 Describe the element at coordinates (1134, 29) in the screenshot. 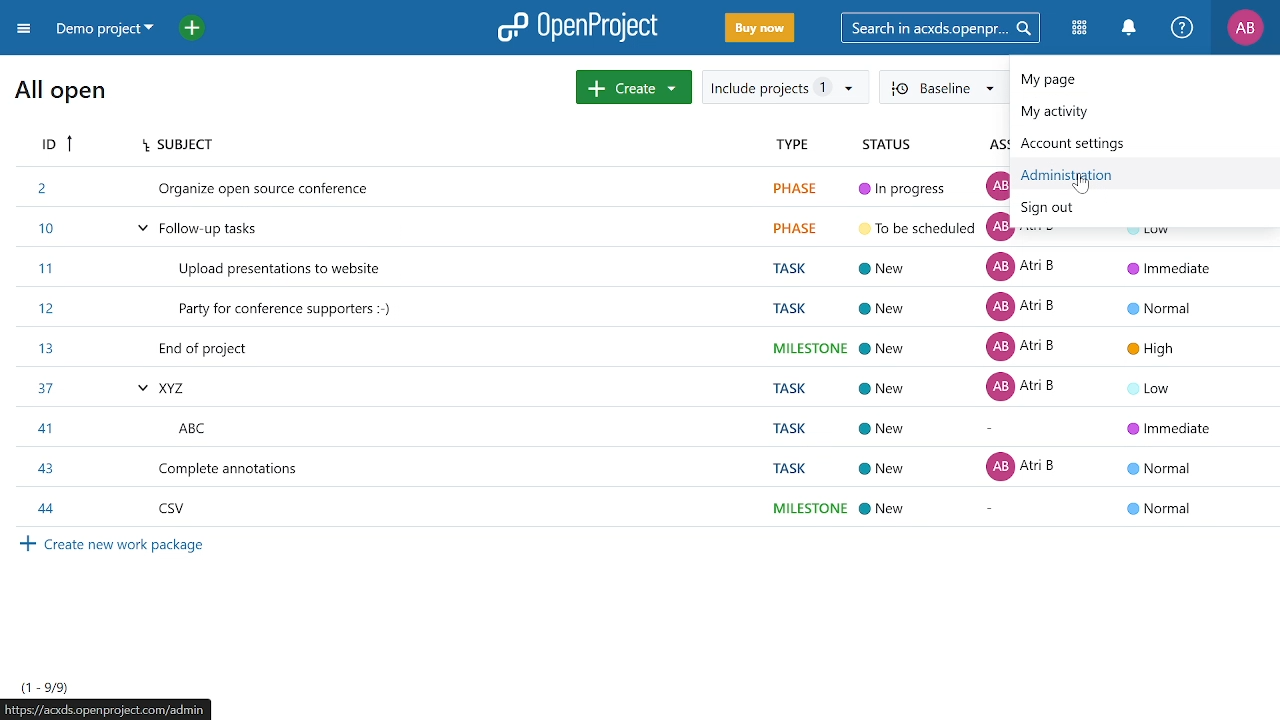

I see `Notifiactions` at that location.